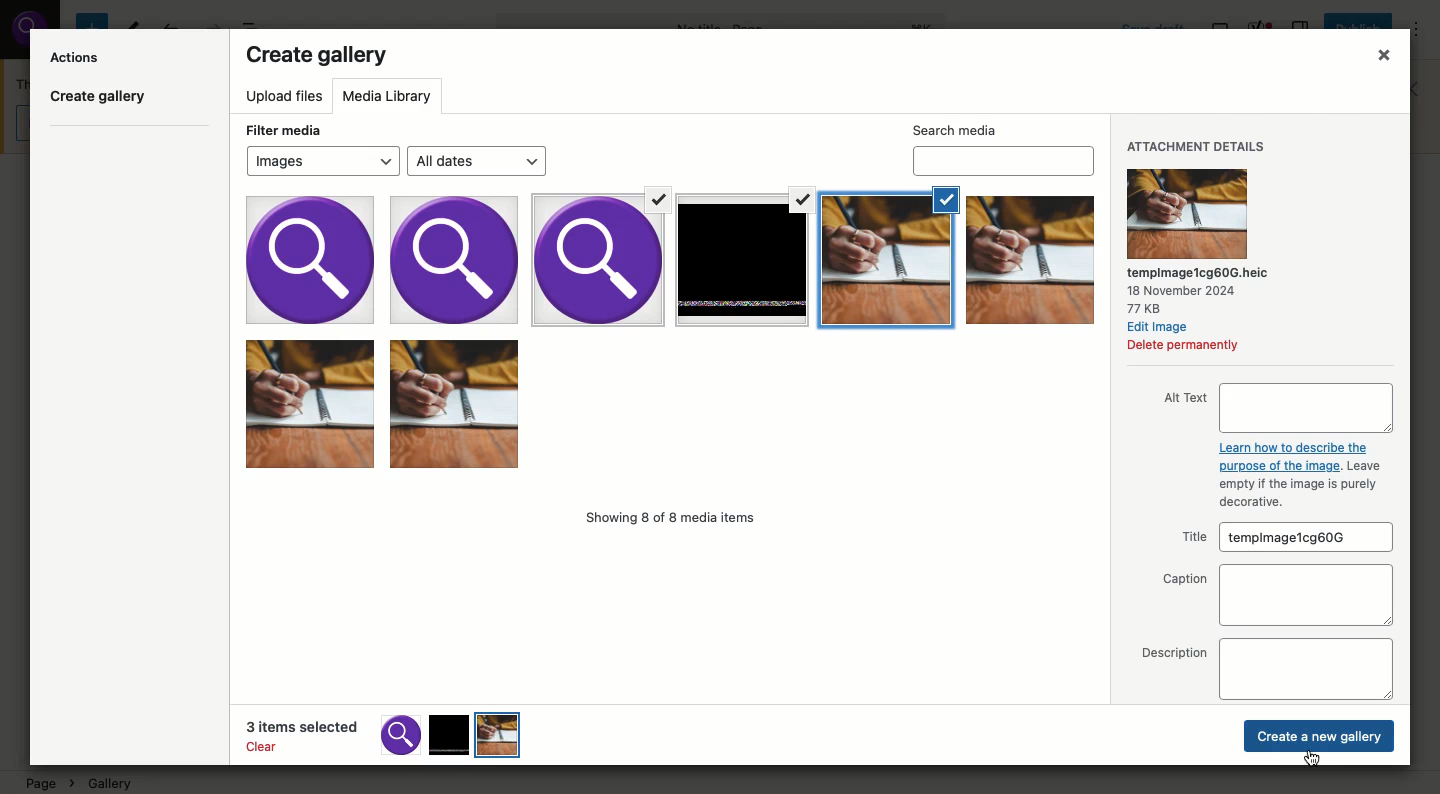 The height and width of the screenshot is (794, 1440). Describe the element at coordinates (318, 57) in the screenshot. I see `Create gallery` at that location.